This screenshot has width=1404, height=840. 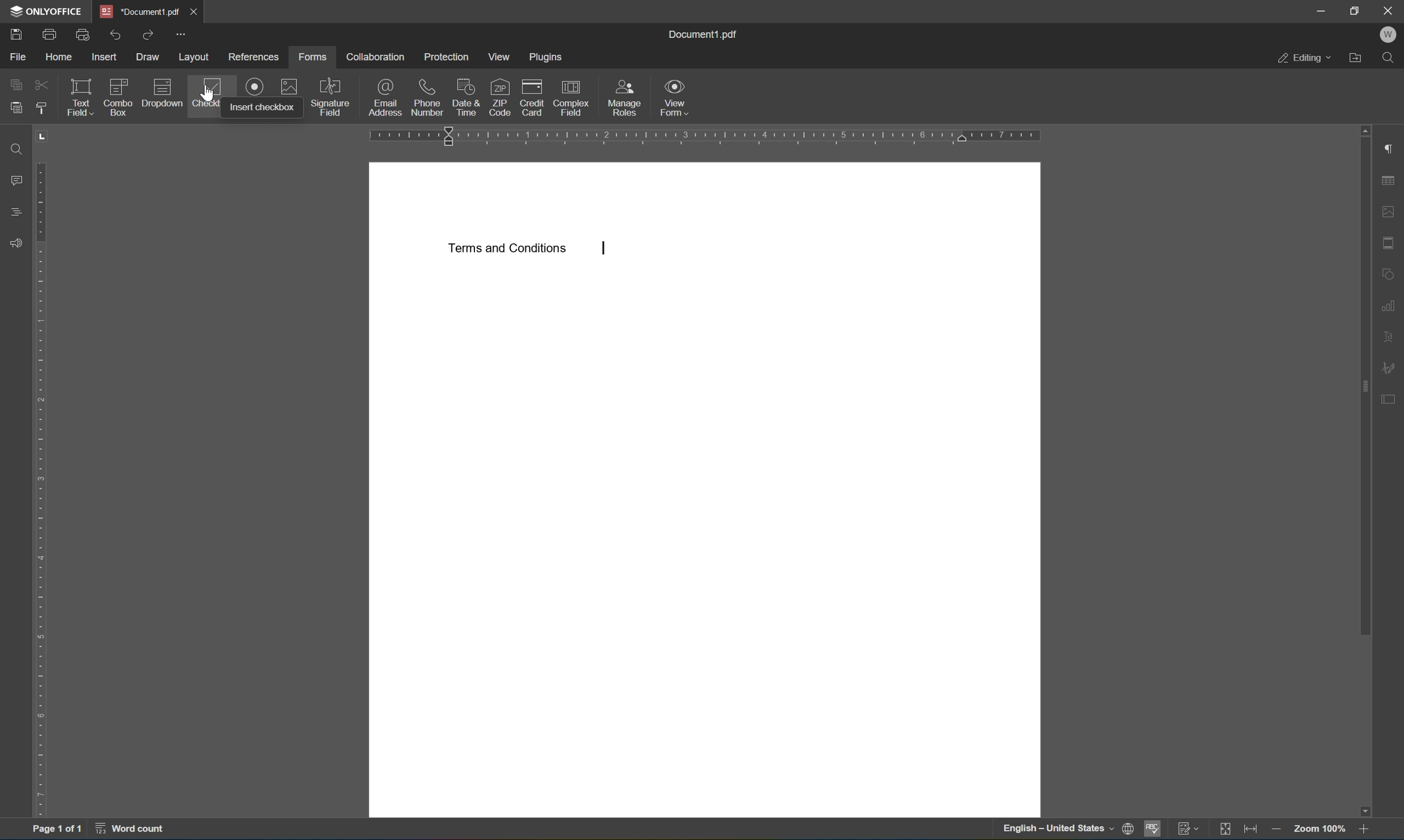 What do you see at coordinates (1390, 368) in the screenshot?
I see `signature settings` at bounding box center [1390, 368].